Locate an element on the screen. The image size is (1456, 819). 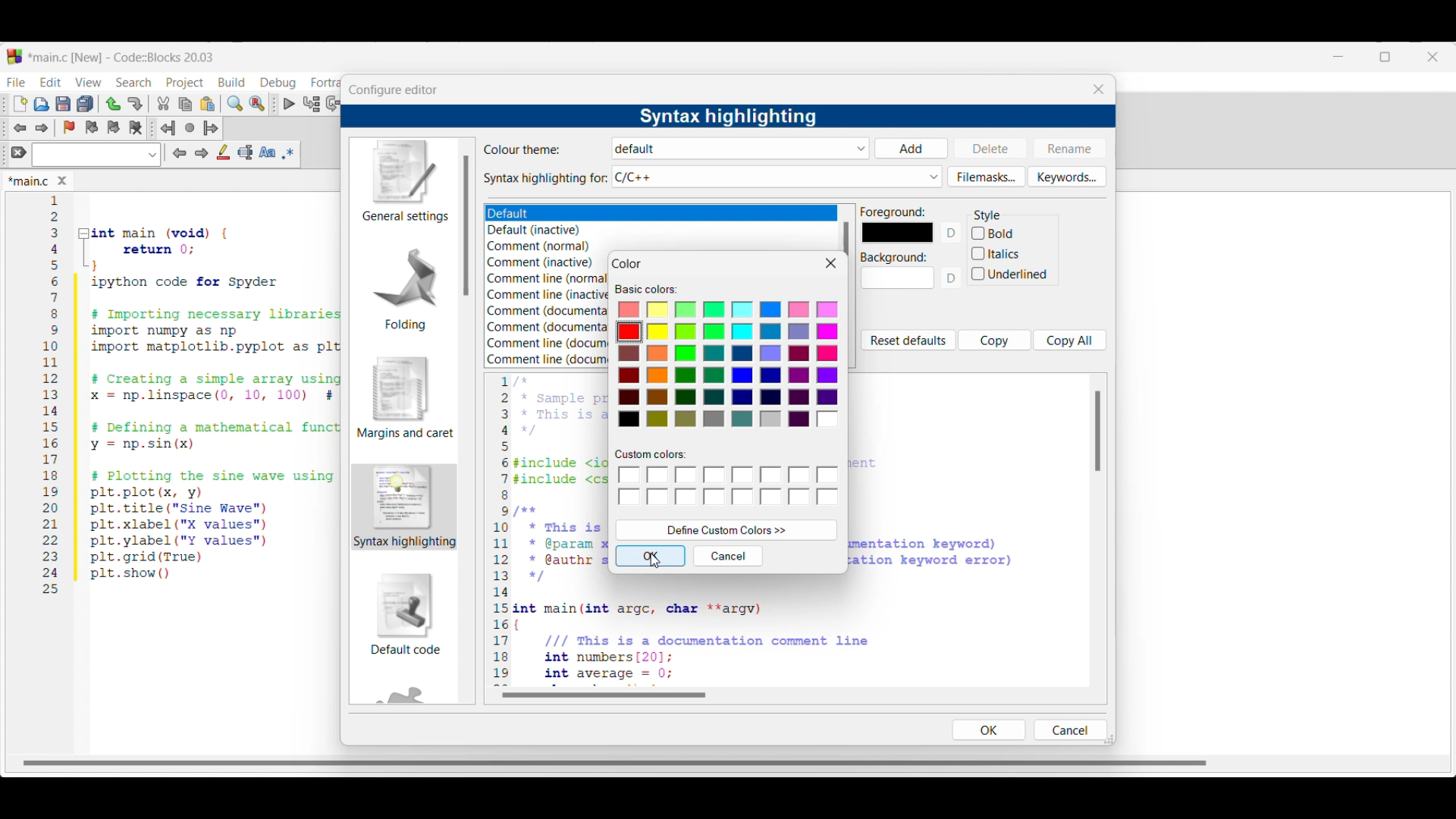
Horizontal scroll bar is located at coordinates (619, 758).